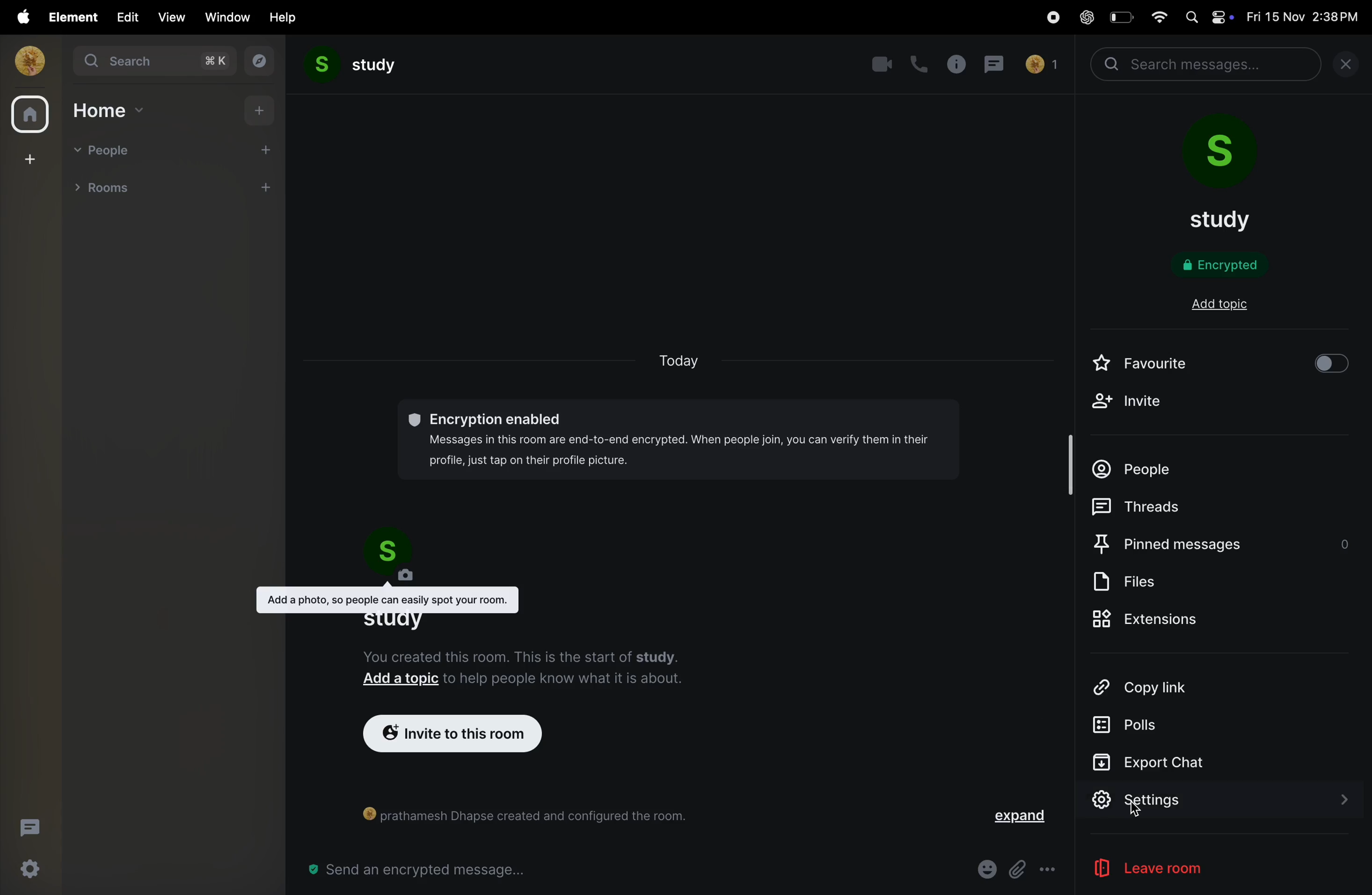 Image resolution: width=1372 pixels, height=895 pixels. Describe the element at coordinates (997, 65) in the screenshot. I see `messages` at that location.